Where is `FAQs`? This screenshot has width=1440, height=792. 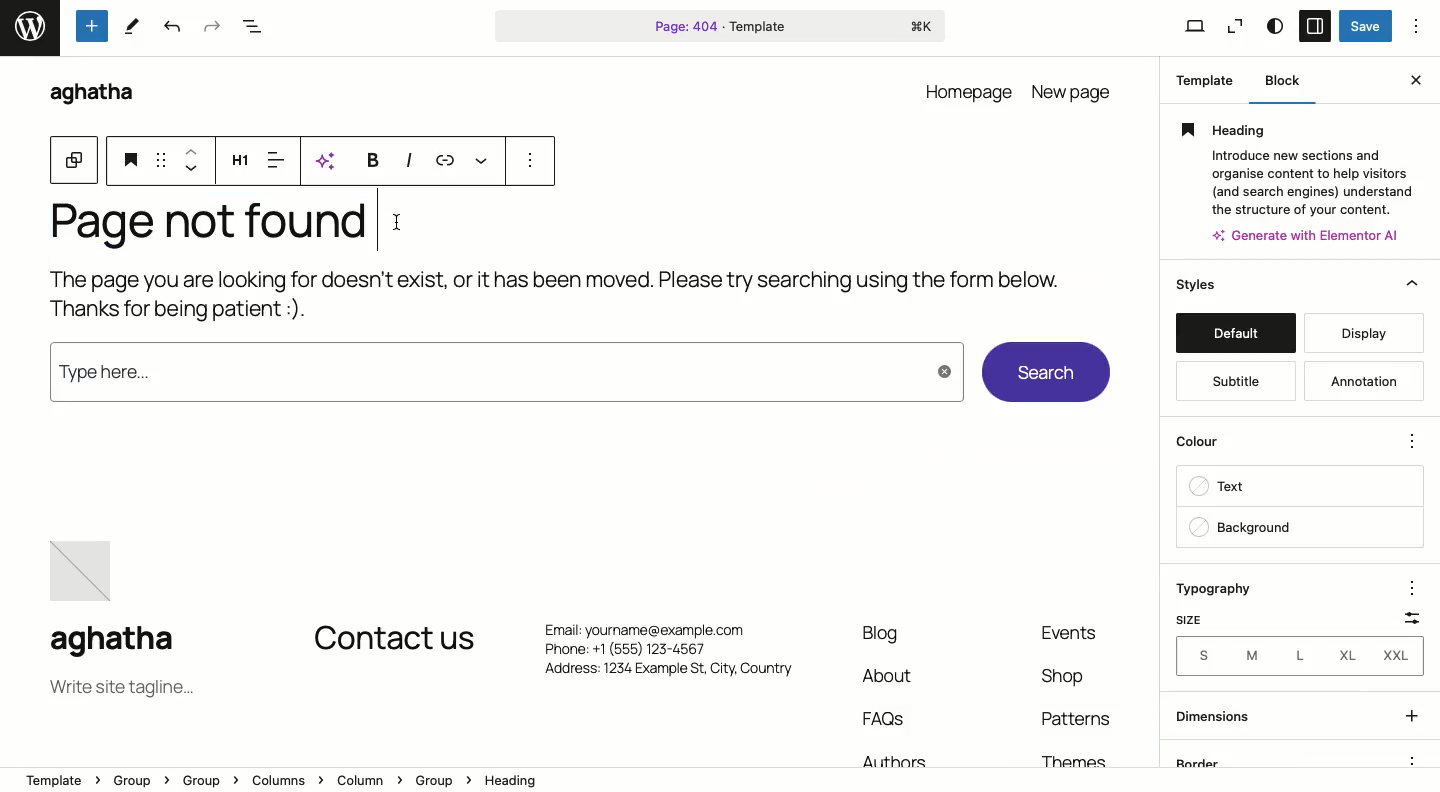
FAQs is located at coordinates (887, 719).